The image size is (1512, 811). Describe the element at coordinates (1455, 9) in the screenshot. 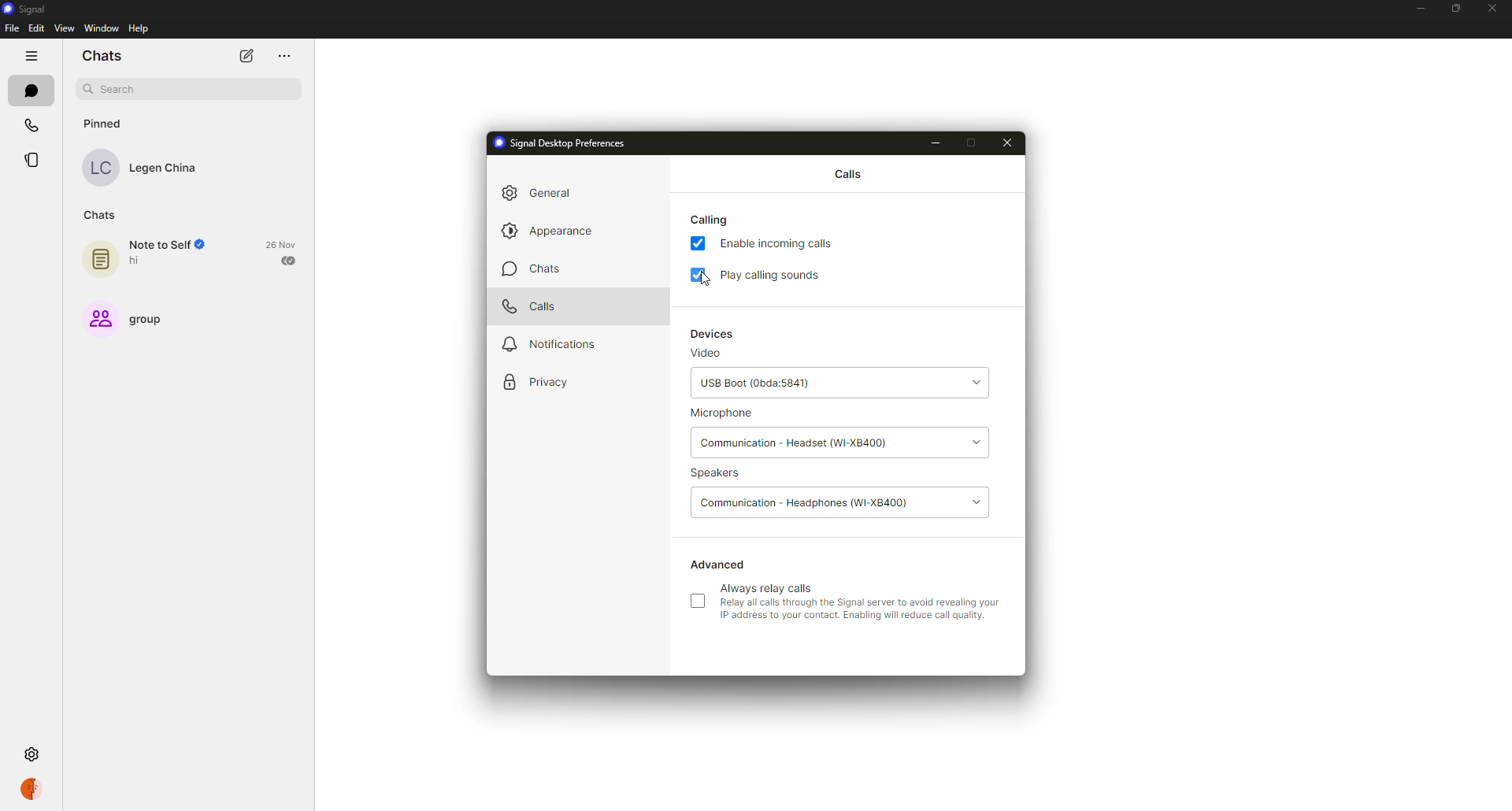

I see `maximize` at that location.